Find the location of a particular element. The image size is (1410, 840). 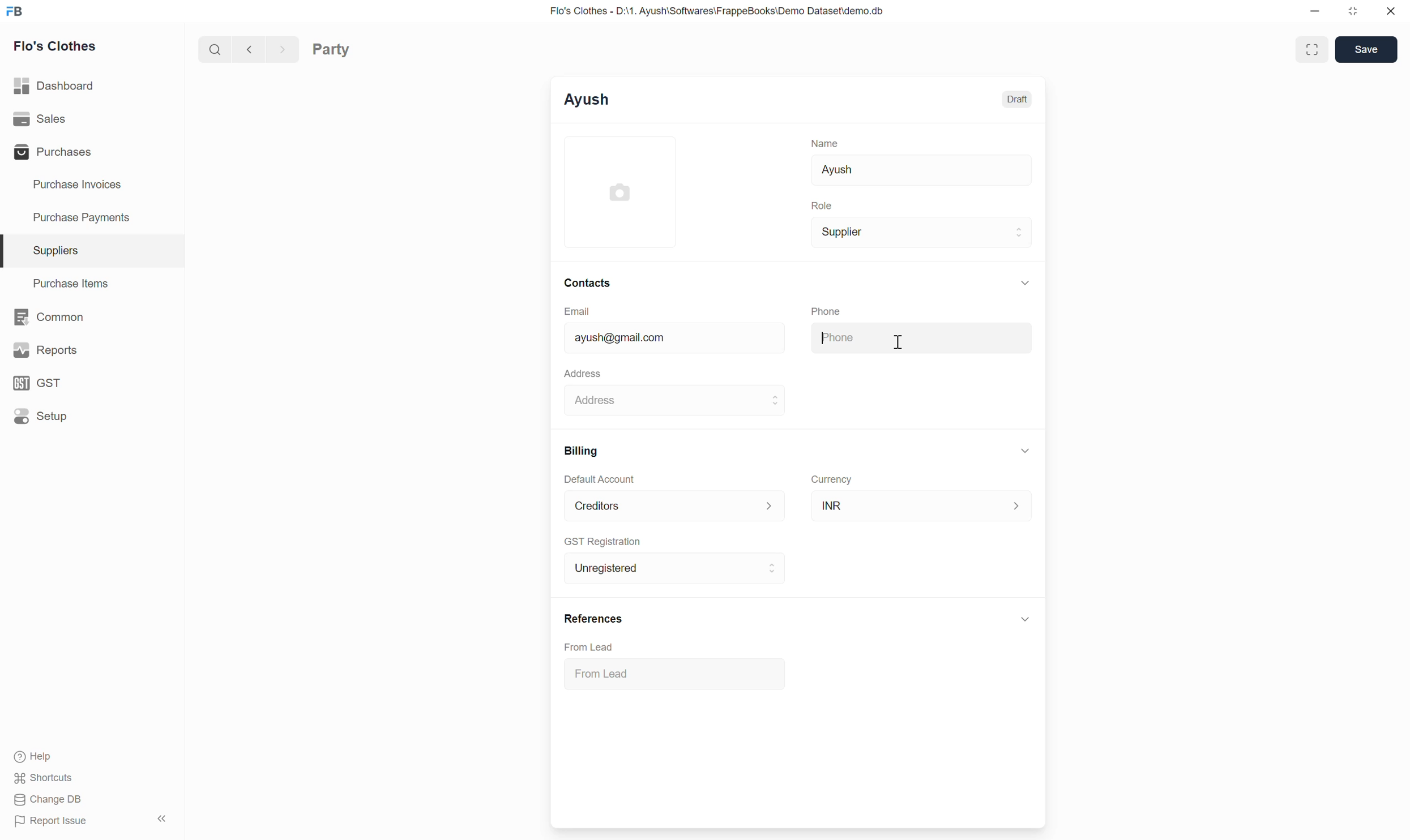

Draft is located at coordinates (1016, 100).